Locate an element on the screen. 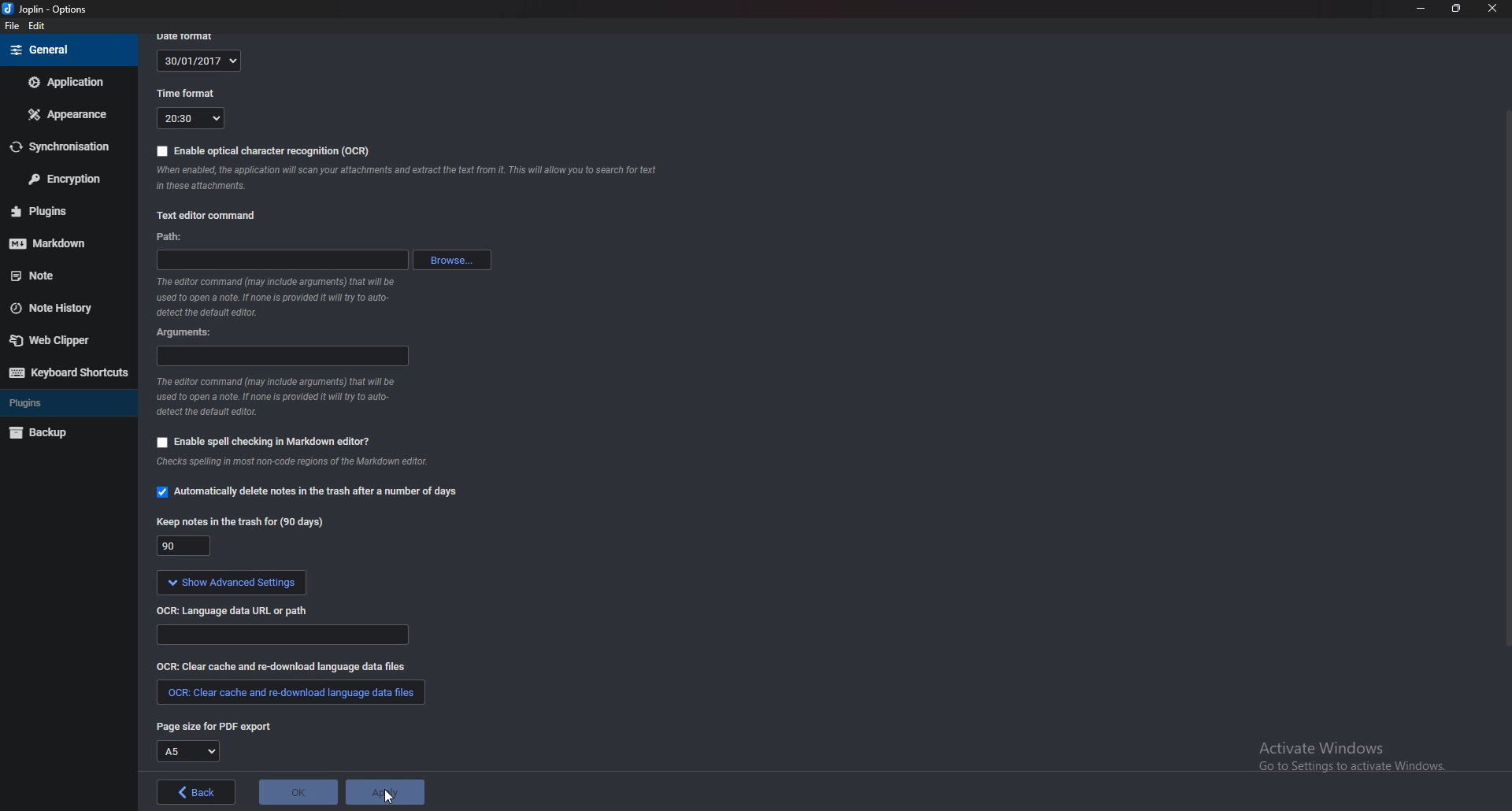  browse is located at coordinates (450, 260).